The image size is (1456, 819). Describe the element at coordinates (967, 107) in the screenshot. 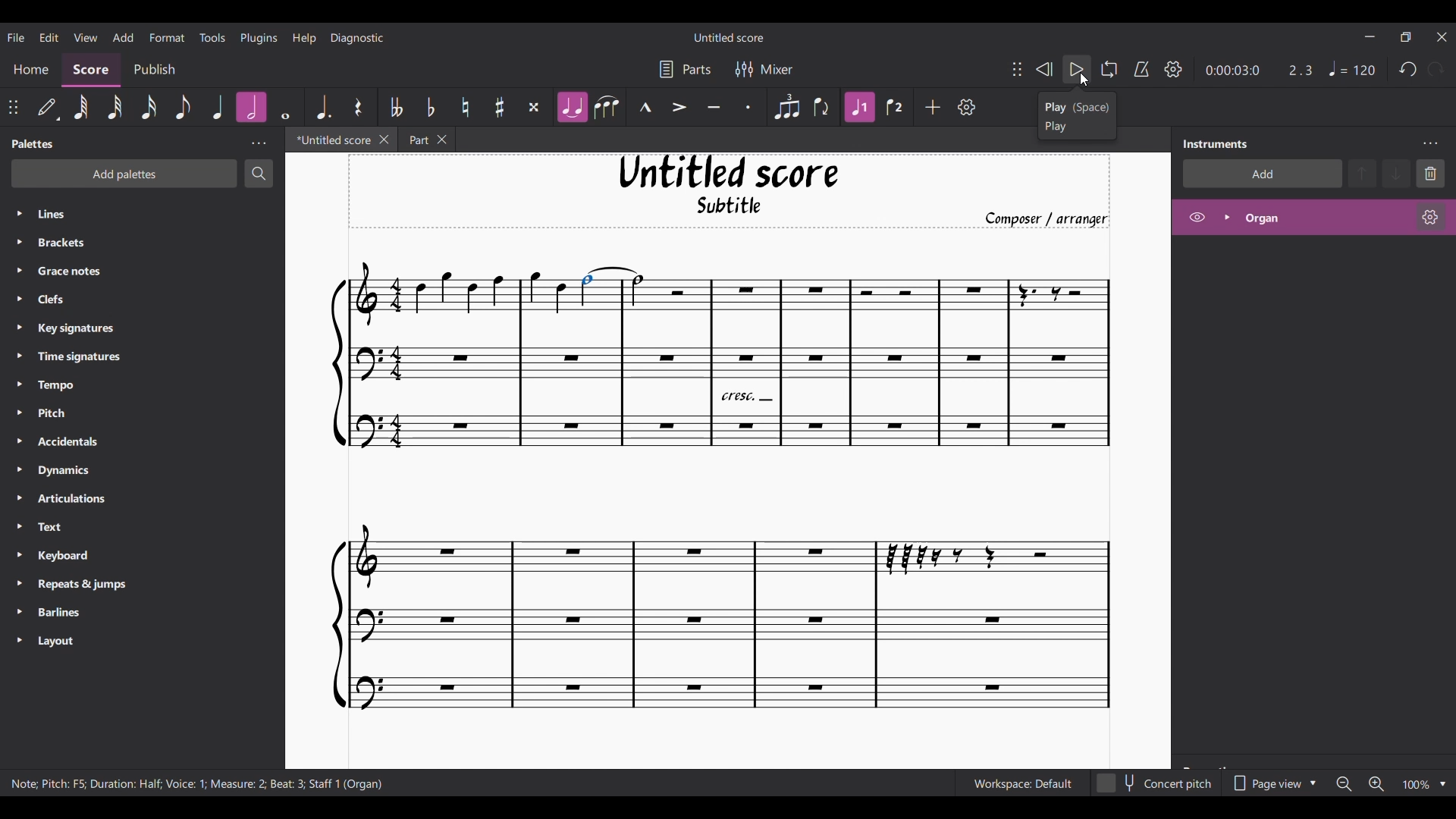

I see `Customize toolbar` at that location.